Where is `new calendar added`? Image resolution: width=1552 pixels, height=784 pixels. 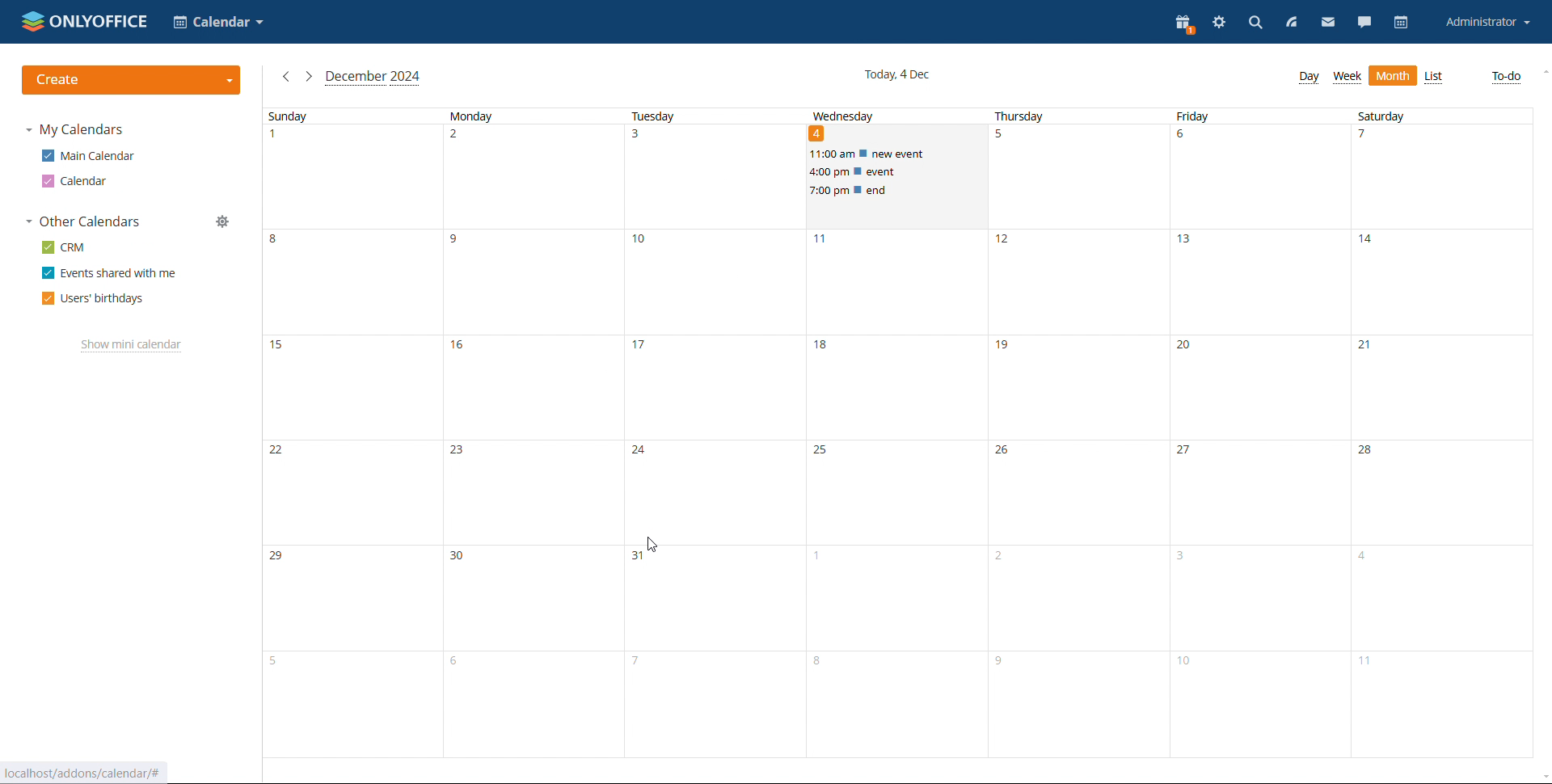 new calendar added is located at coordinates (72, 181).